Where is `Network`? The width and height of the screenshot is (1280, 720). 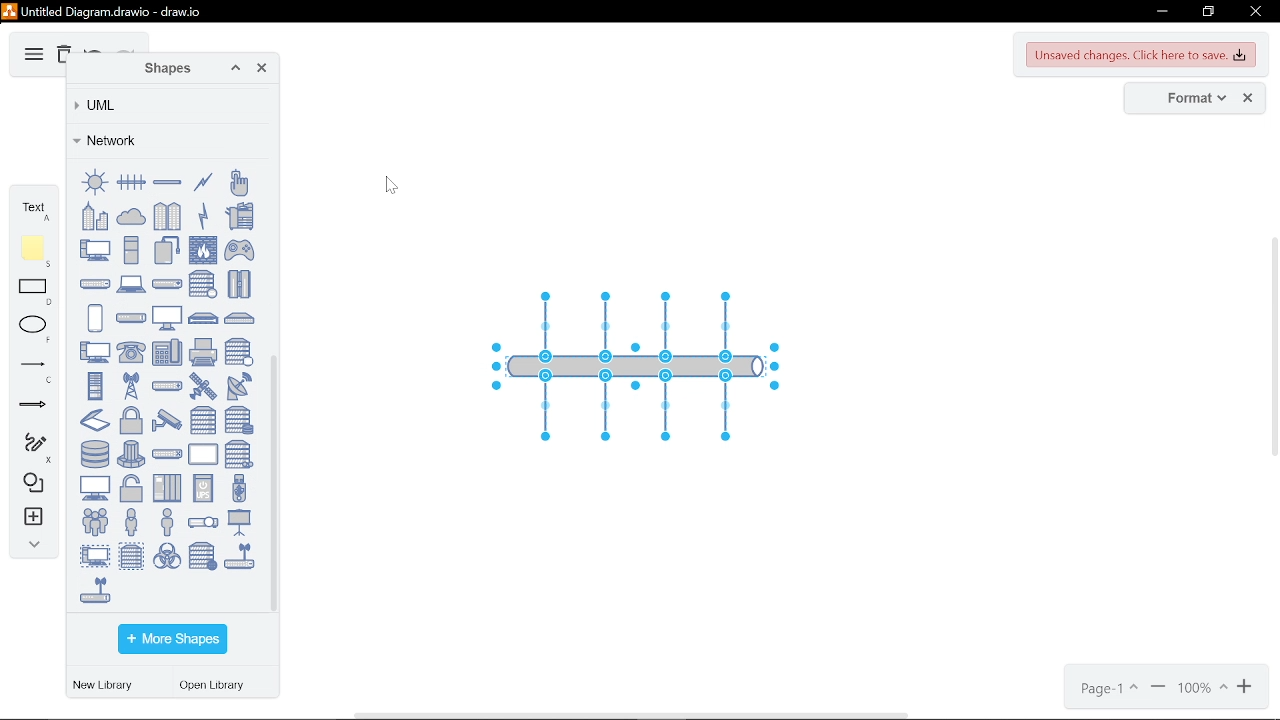 Network is located at coordinates (165, 140).